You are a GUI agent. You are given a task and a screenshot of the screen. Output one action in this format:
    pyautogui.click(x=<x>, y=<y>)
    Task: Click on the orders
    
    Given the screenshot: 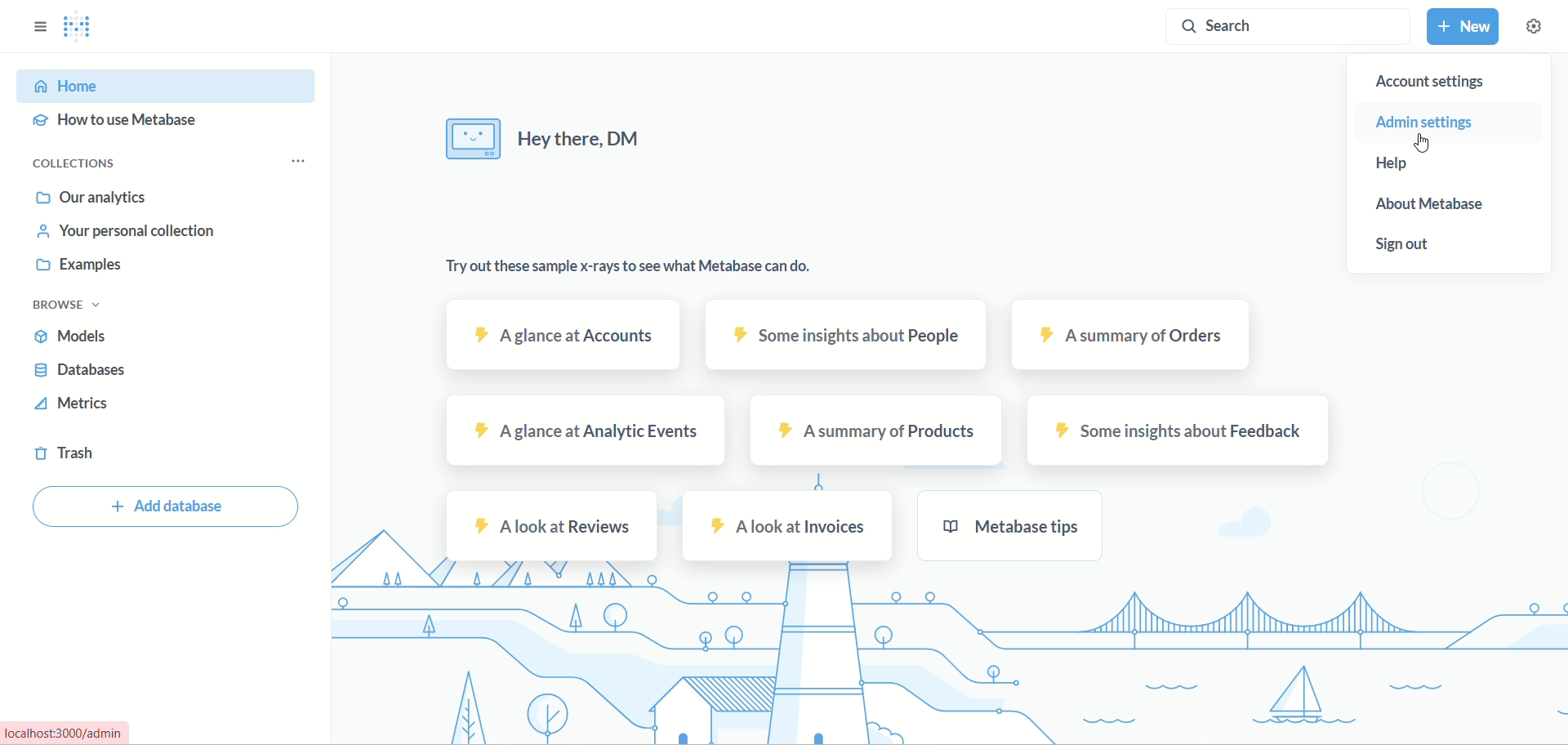 What is the action you would take?
    pyautogui.click(x=1134, y=335)
    